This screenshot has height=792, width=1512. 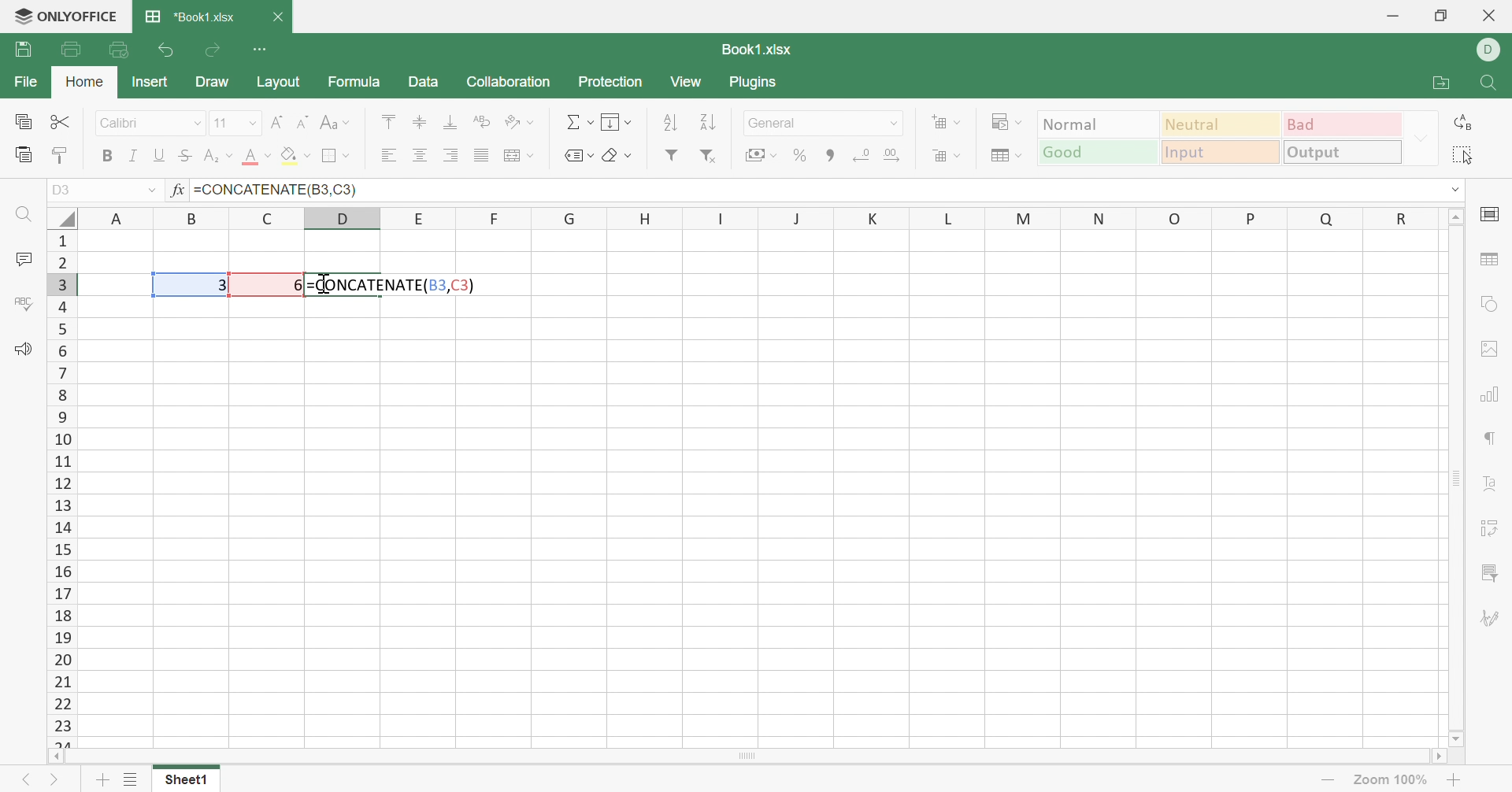 I want to click on Pivot table settings, so click(x=1492, y=527).